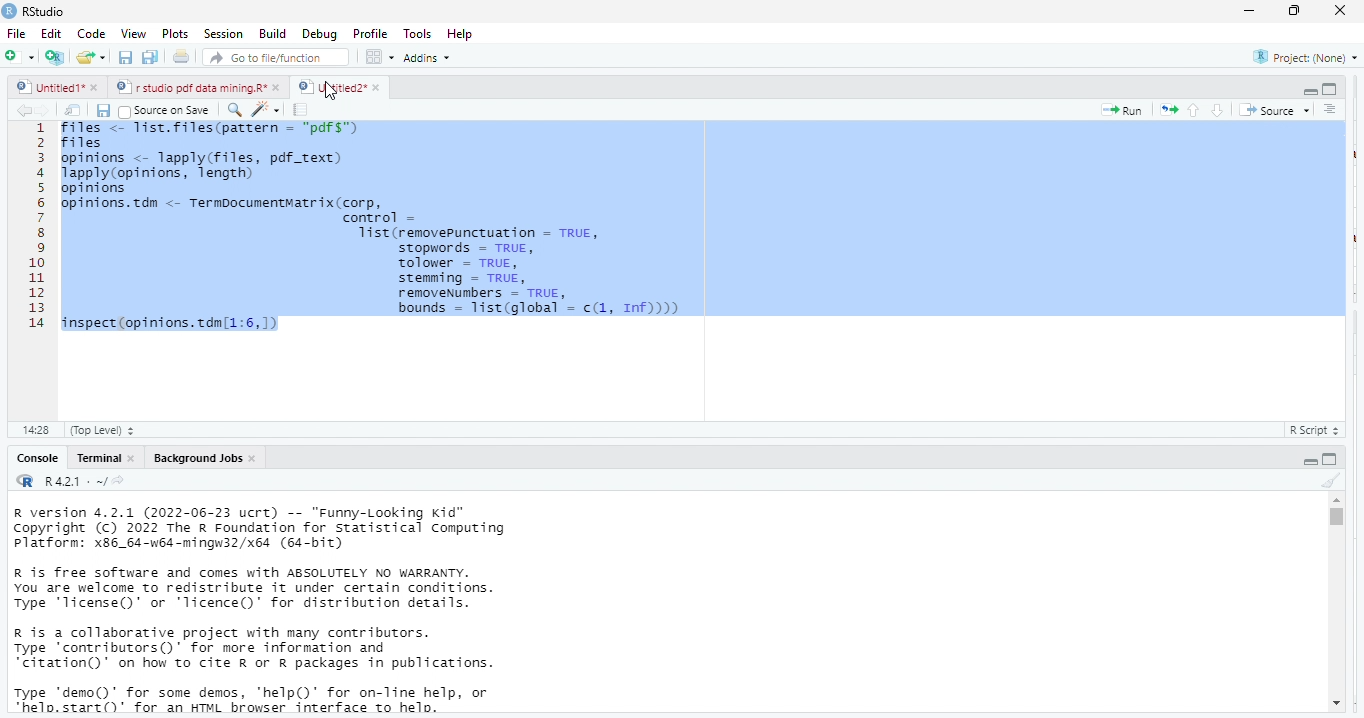 The width and height of the screenshot is (1364, 718). Describe the element at coordinates (193, 458) in the screenshot. I see `background jobs` at that location.